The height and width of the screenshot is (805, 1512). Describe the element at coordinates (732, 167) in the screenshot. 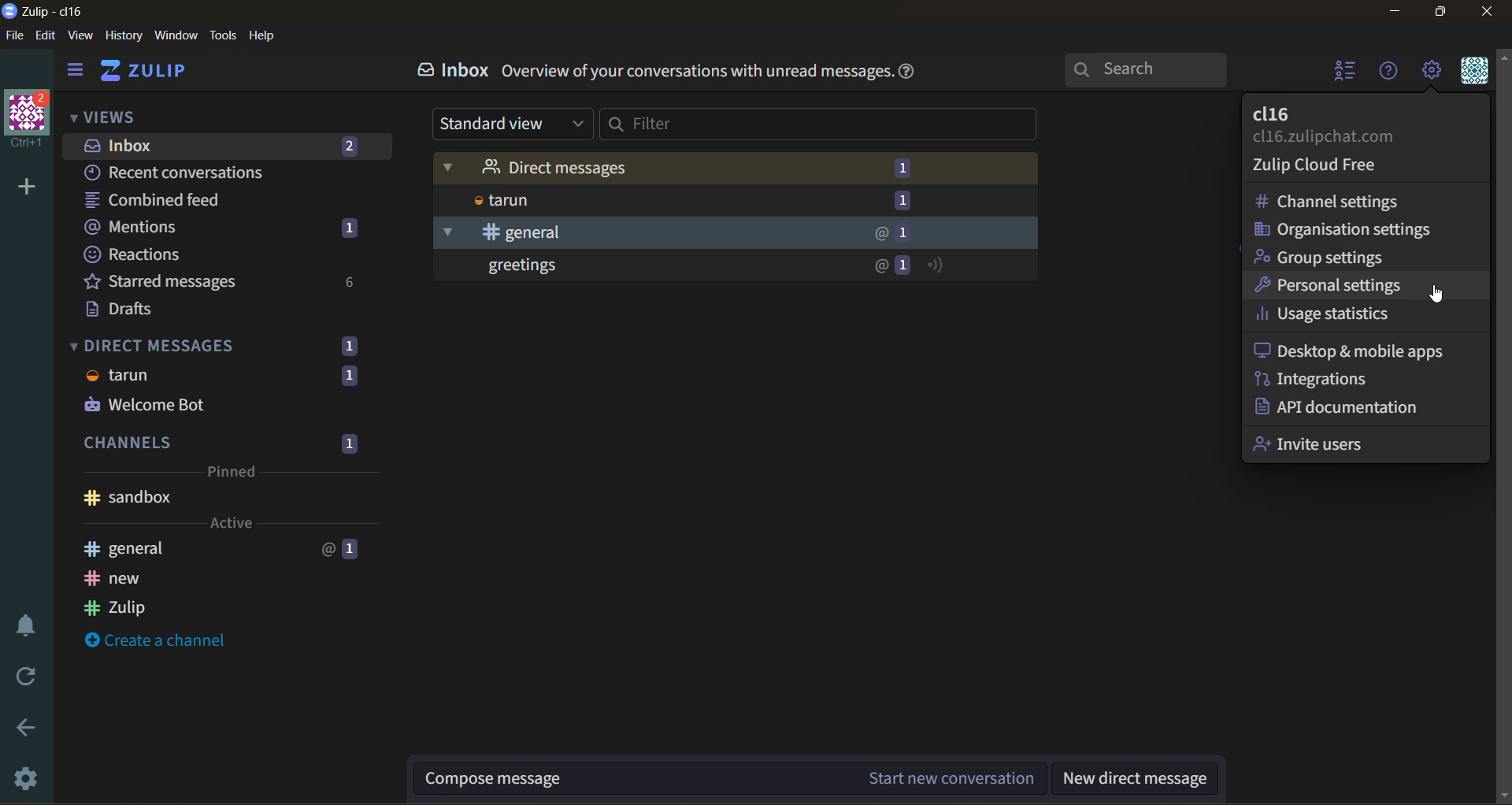

I see `direct messages` at that location.